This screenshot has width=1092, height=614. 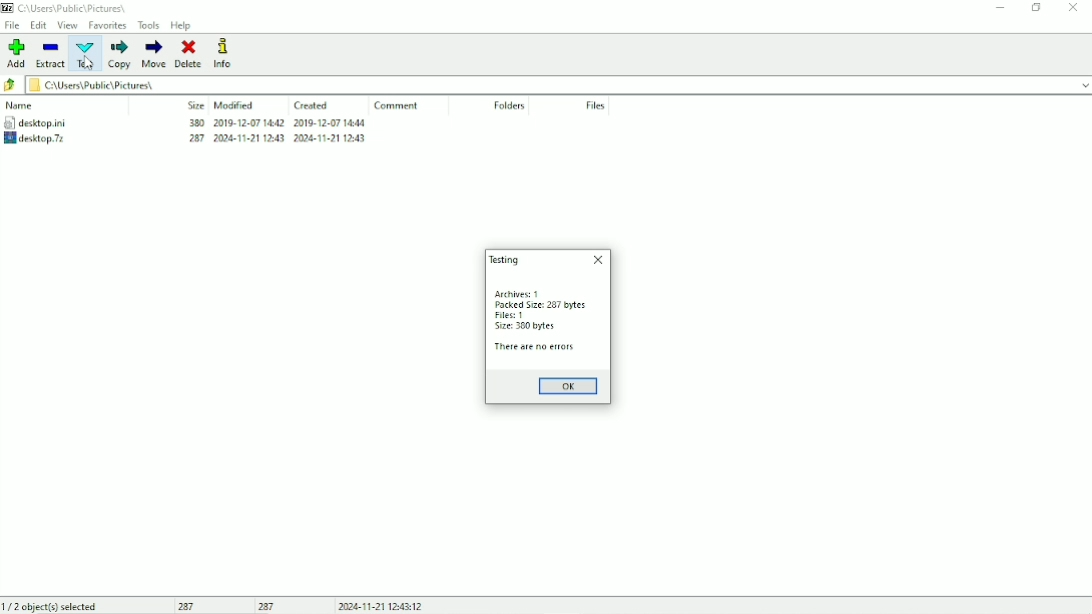 I want to click on Back, so click(x=10, y=86).